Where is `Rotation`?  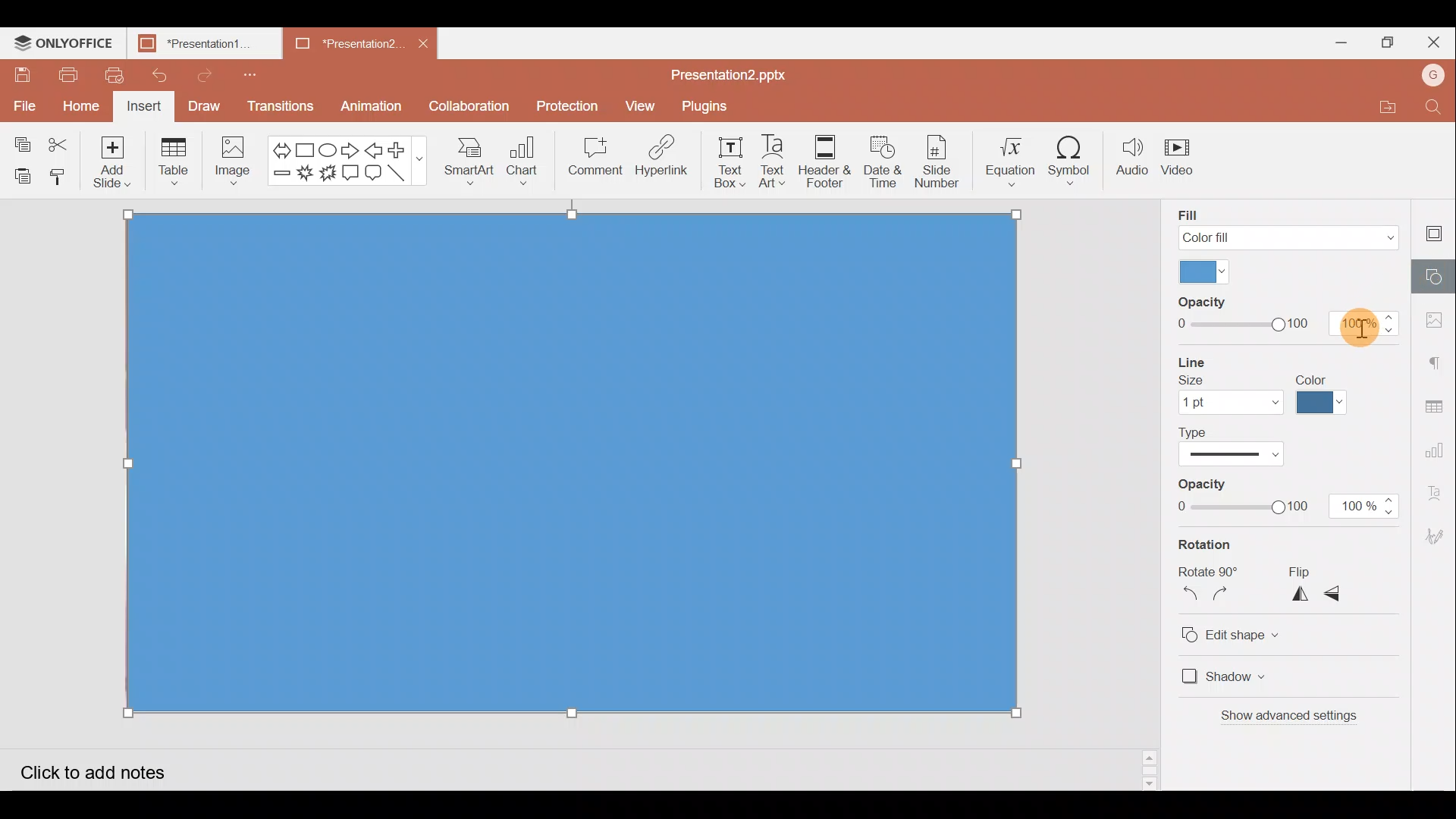
Rotation is located at coordinates (1215, 546).